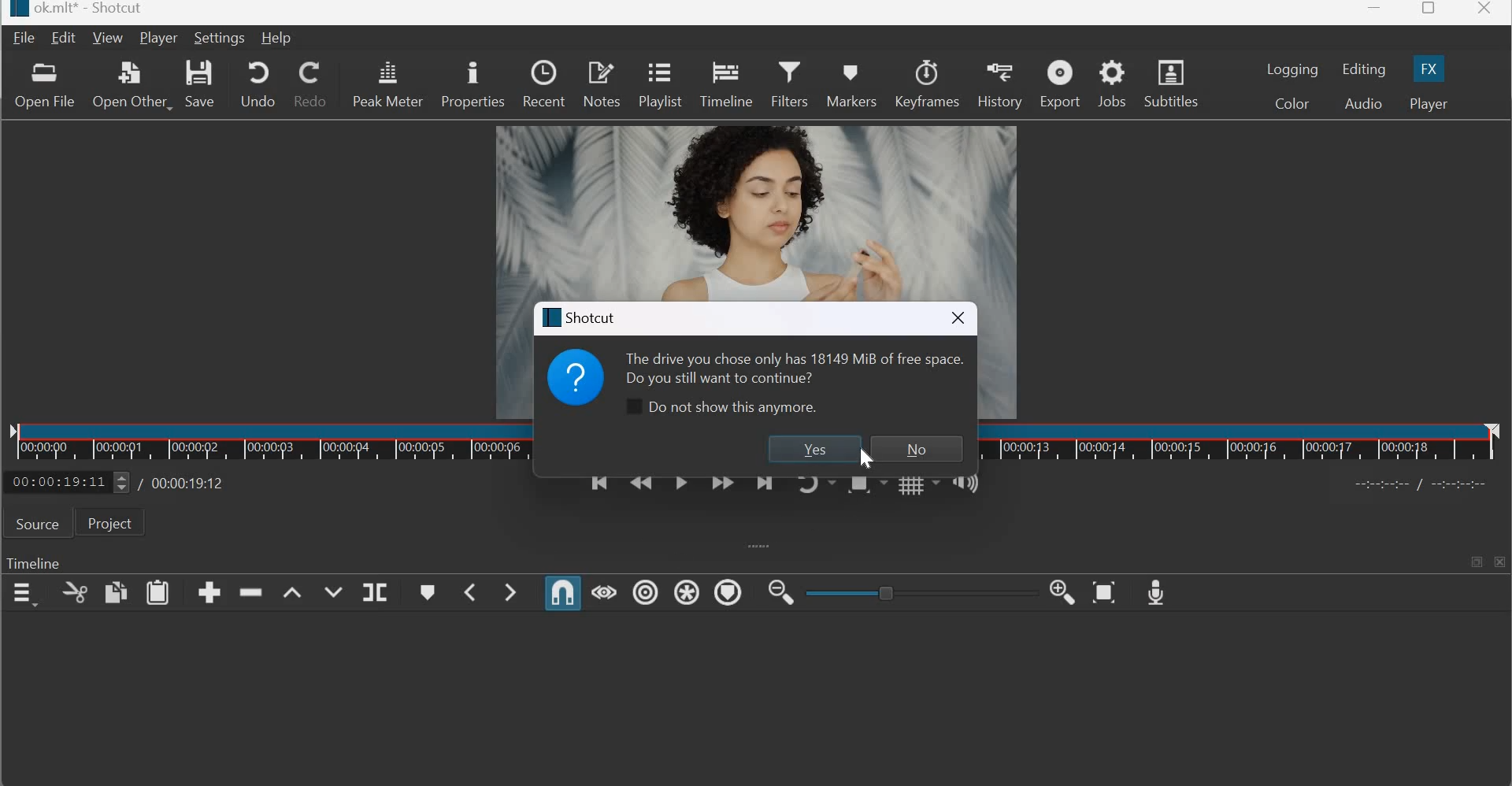  What do you see at coordinates (865, 487) in the screenshot?
I see `Toggle zoom` at bounding box center [865, 487].